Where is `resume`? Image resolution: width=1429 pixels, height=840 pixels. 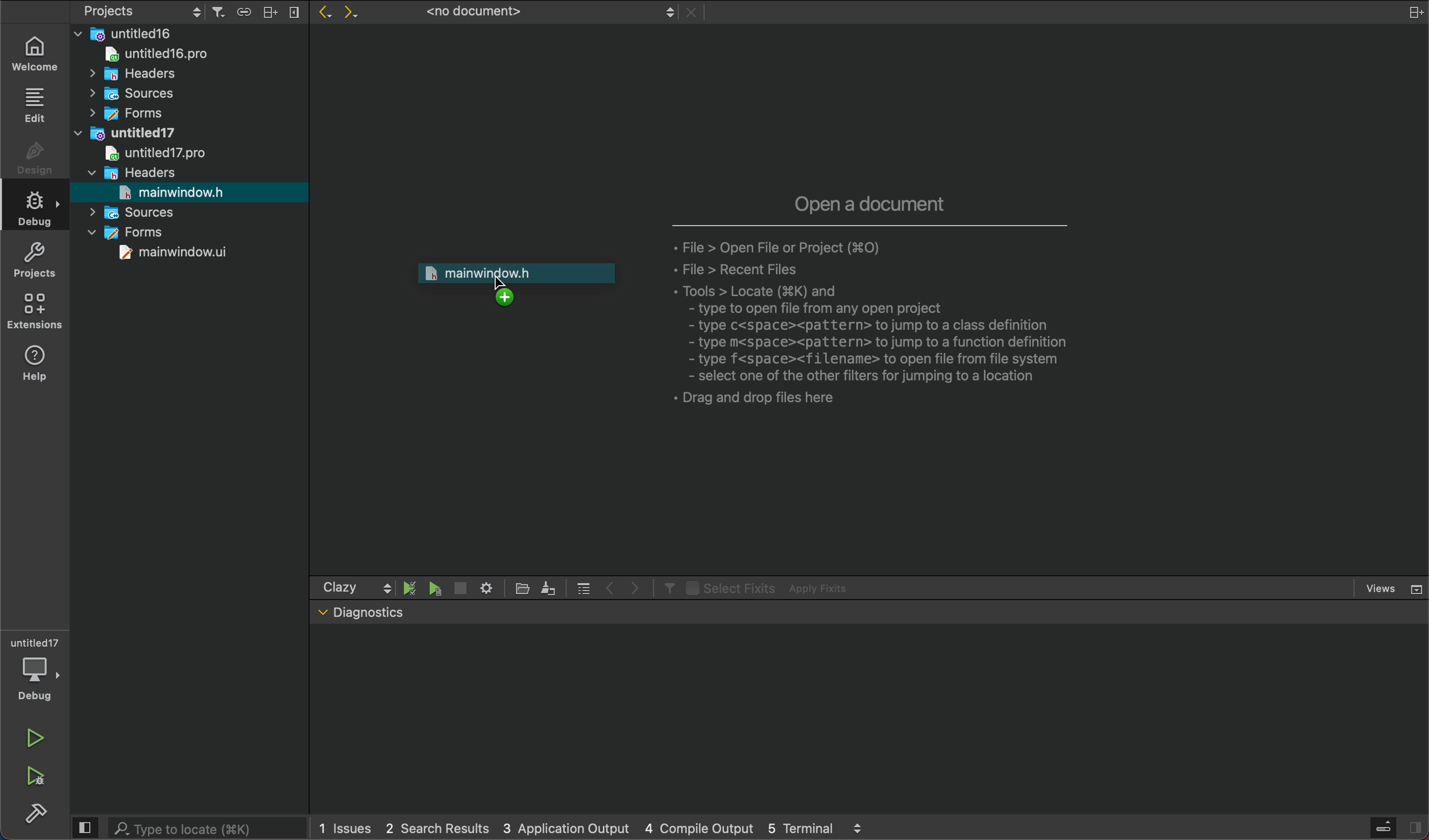
resume is located at coordinates (436, 589).